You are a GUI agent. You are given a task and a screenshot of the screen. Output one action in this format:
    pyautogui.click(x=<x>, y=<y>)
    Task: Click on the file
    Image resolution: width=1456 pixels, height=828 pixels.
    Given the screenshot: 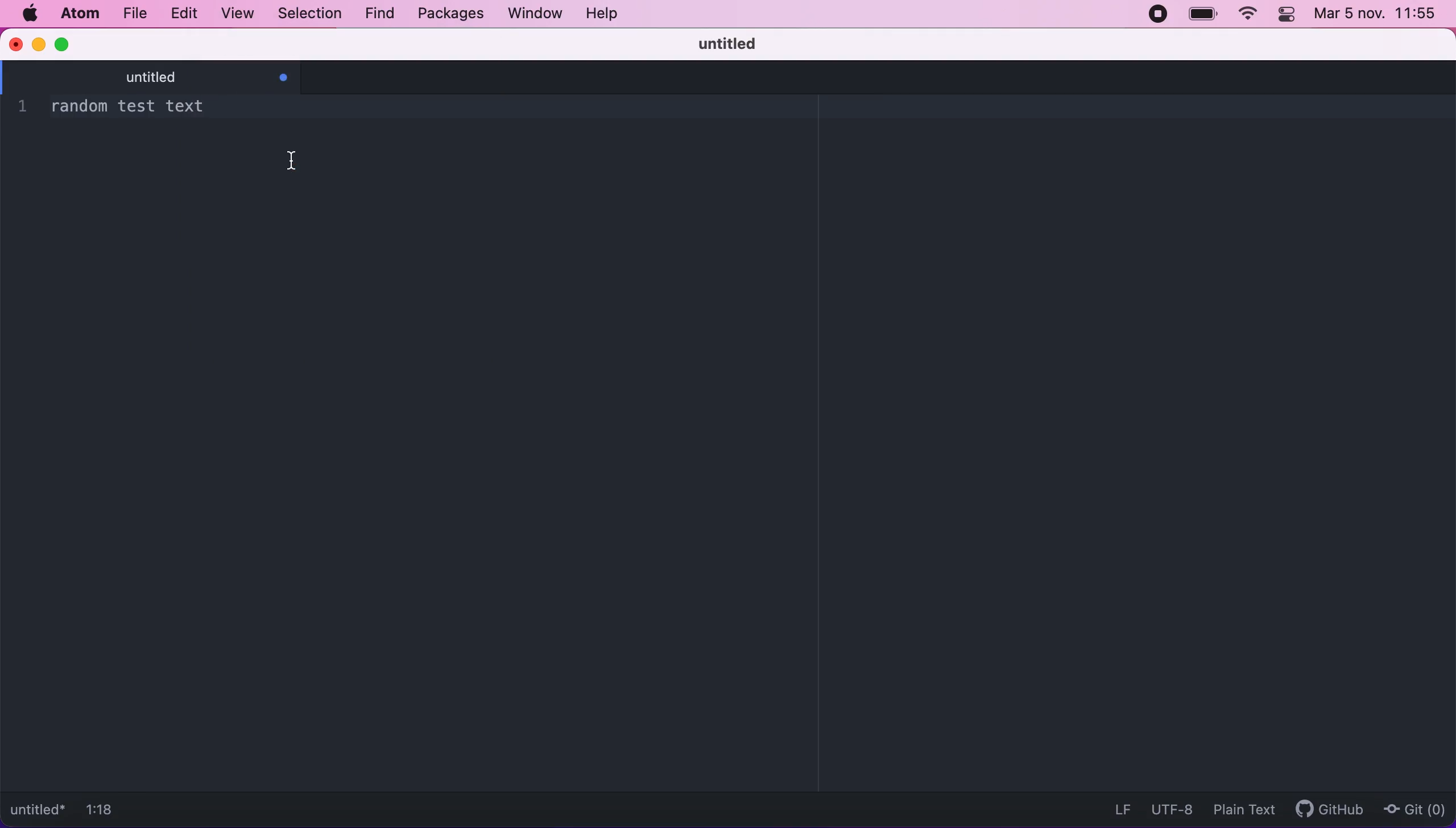 What is the action you would take?
    pyautogui.click(x=135, y=14)
    